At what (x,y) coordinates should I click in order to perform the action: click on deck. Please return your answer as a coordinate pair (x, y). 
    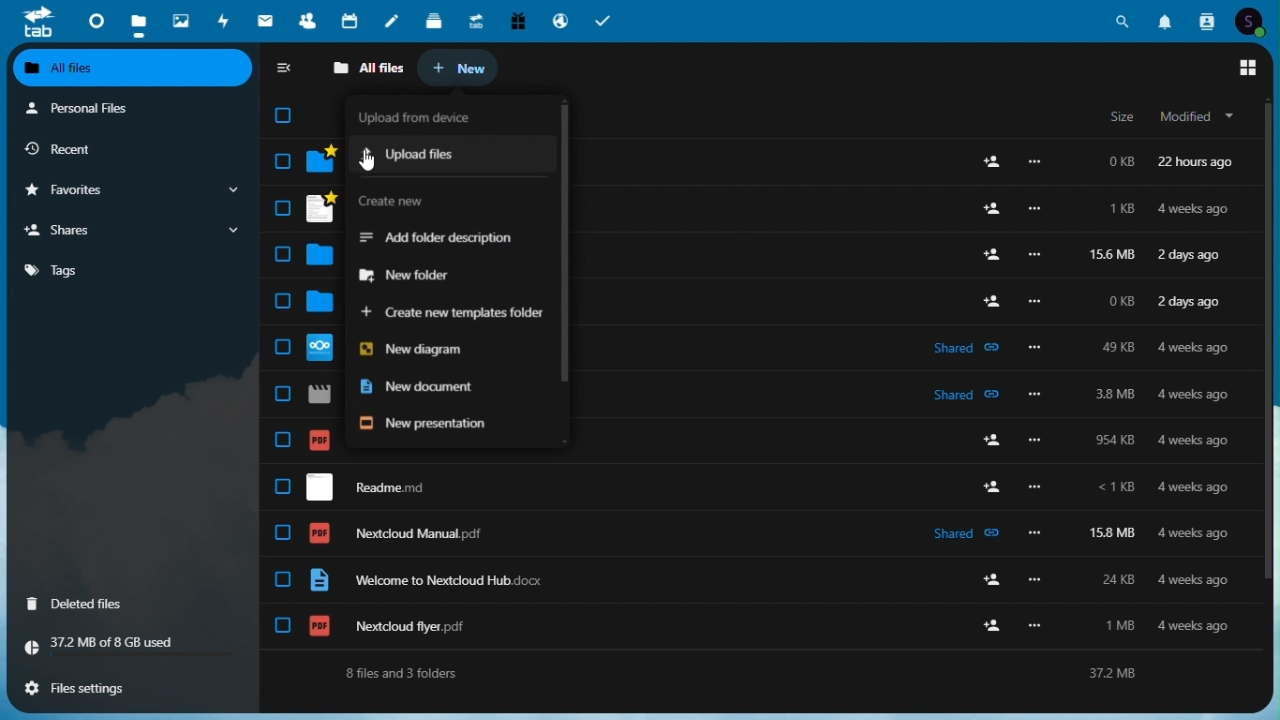
    Looking at the image, I should click on (435, 20).